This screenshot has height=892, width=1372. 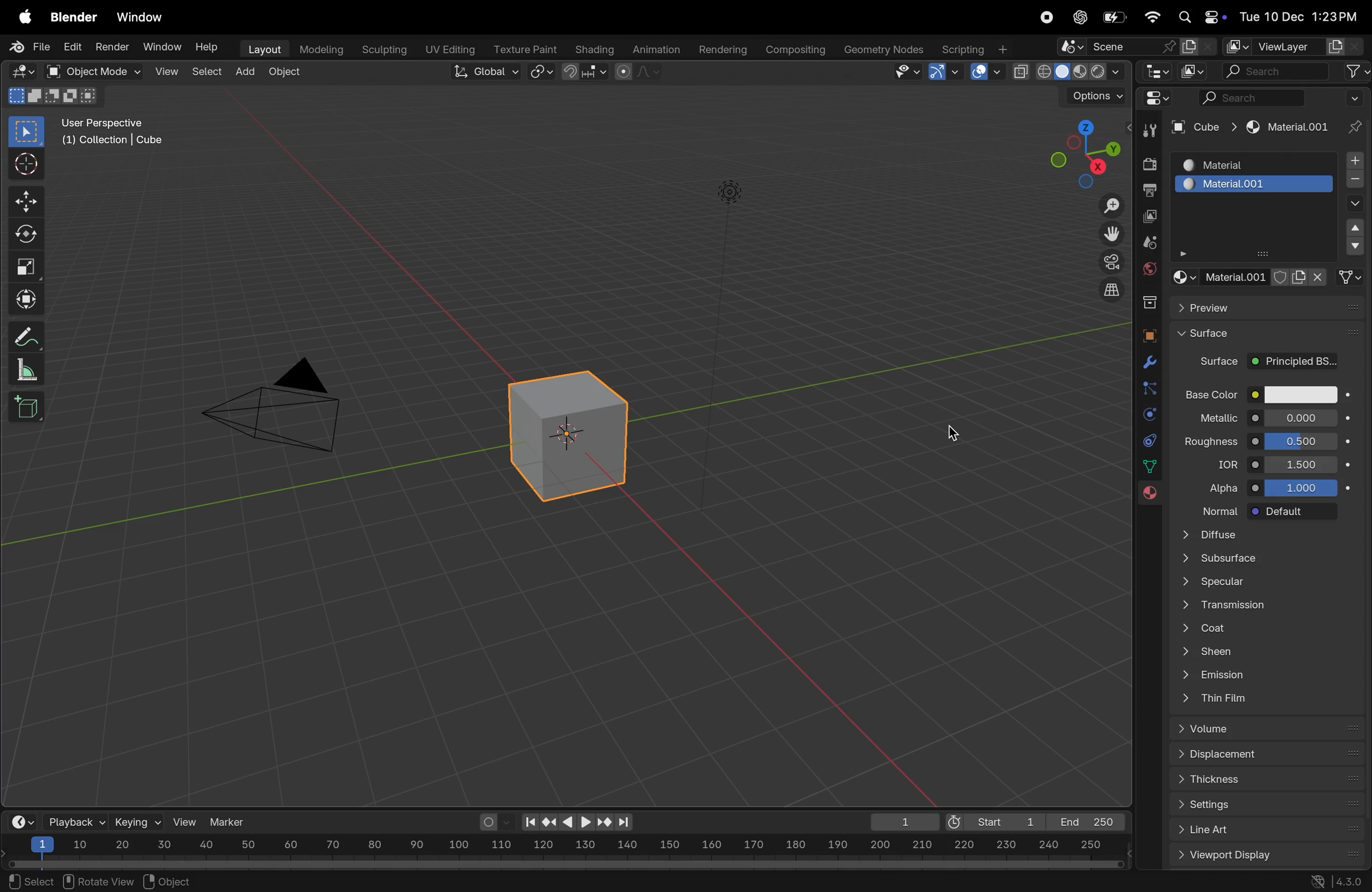 What do you see at coordinates (1199, 17) in the screenshot?
I see `apple widgets` at bounding box center [1199, 17].